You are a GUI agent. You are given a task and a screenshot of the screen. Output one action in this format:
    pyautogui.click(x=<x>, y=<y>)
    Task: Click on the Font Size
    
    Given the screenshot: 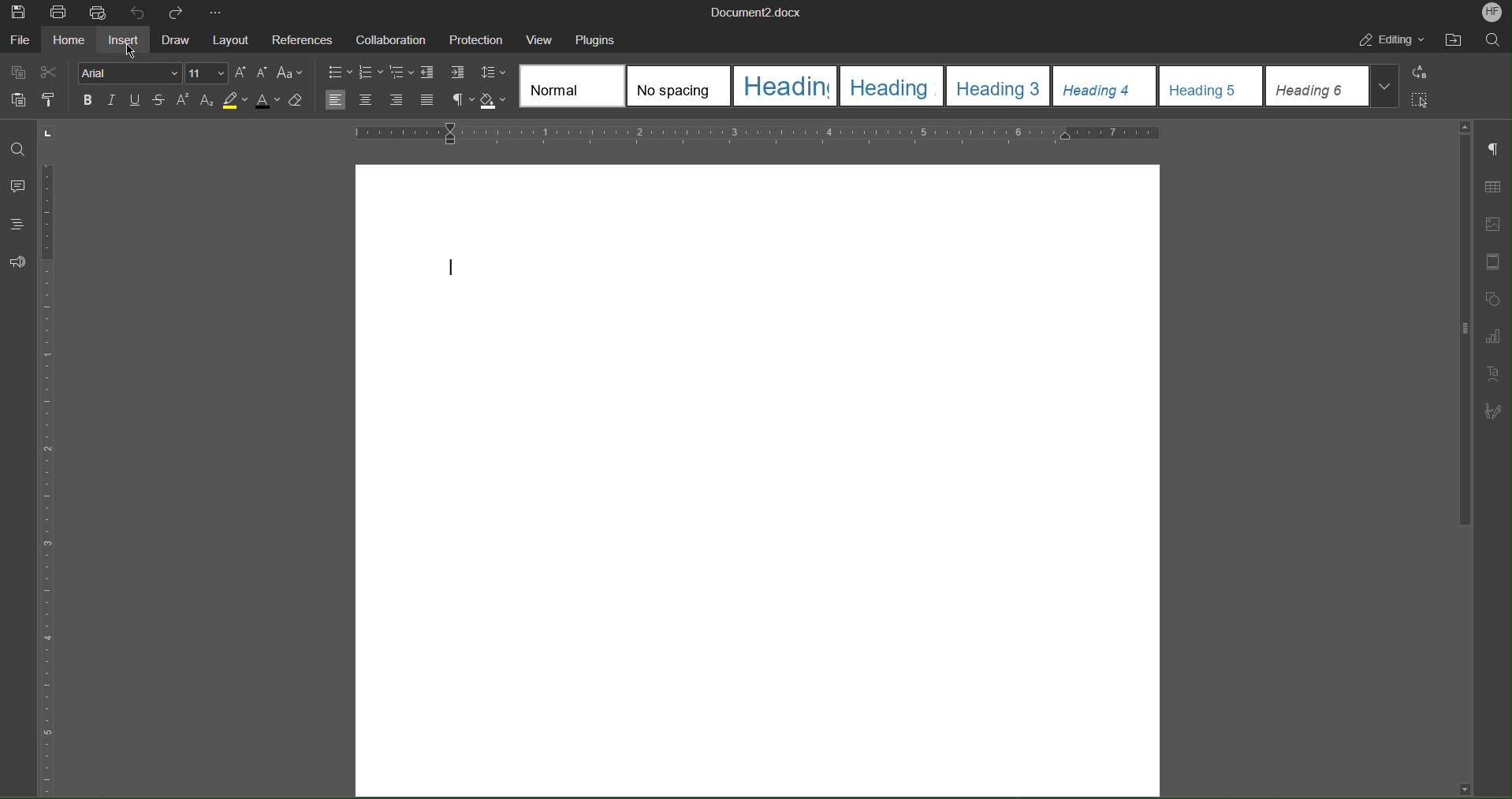 What is the action you would take?
    pyautogui.click(x=207, y=72)
    